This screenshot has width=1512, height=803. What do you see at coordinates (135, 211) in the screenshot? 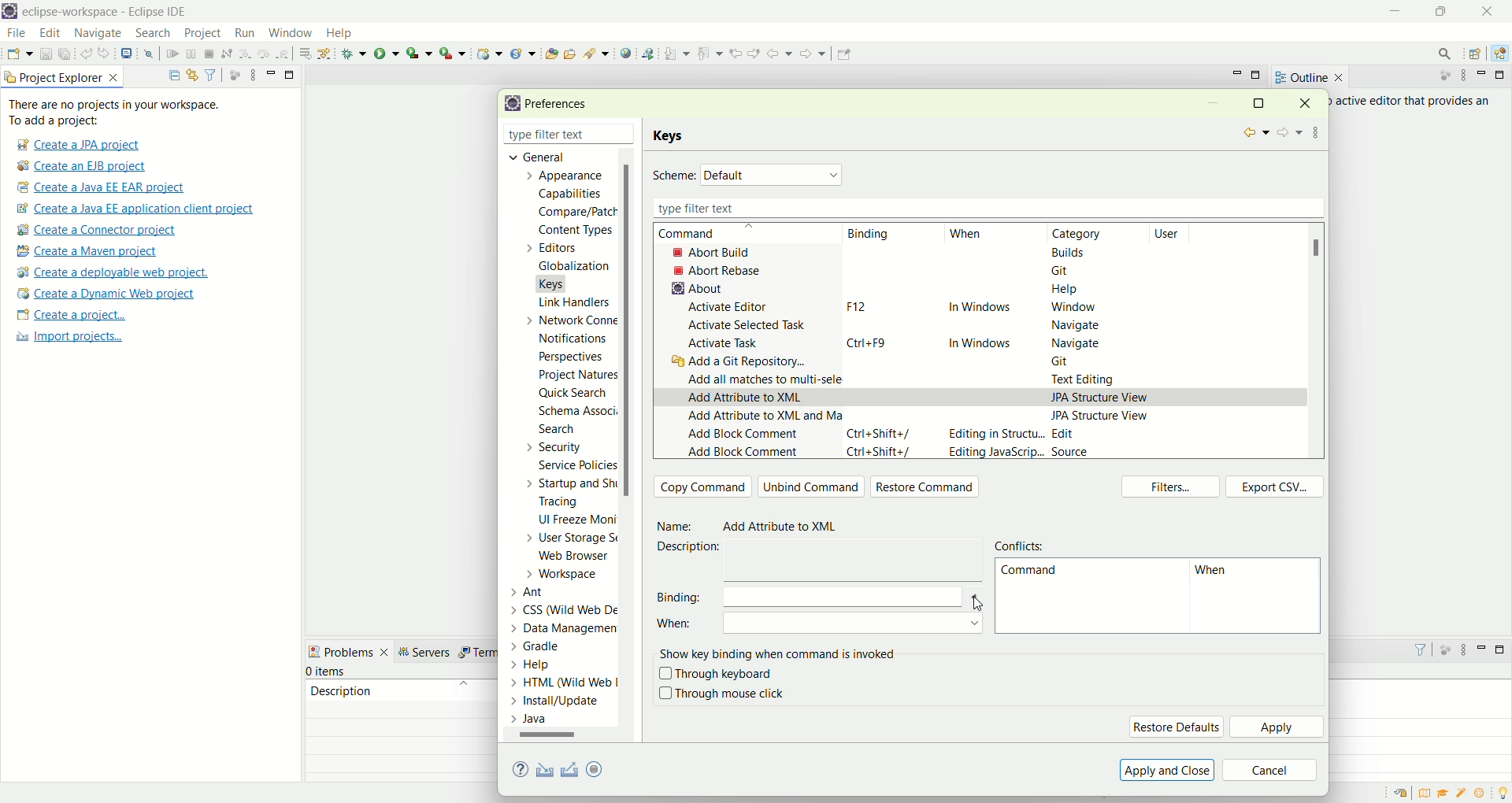
I see `create a Java EE application client project` at bounding box center [135, 211].